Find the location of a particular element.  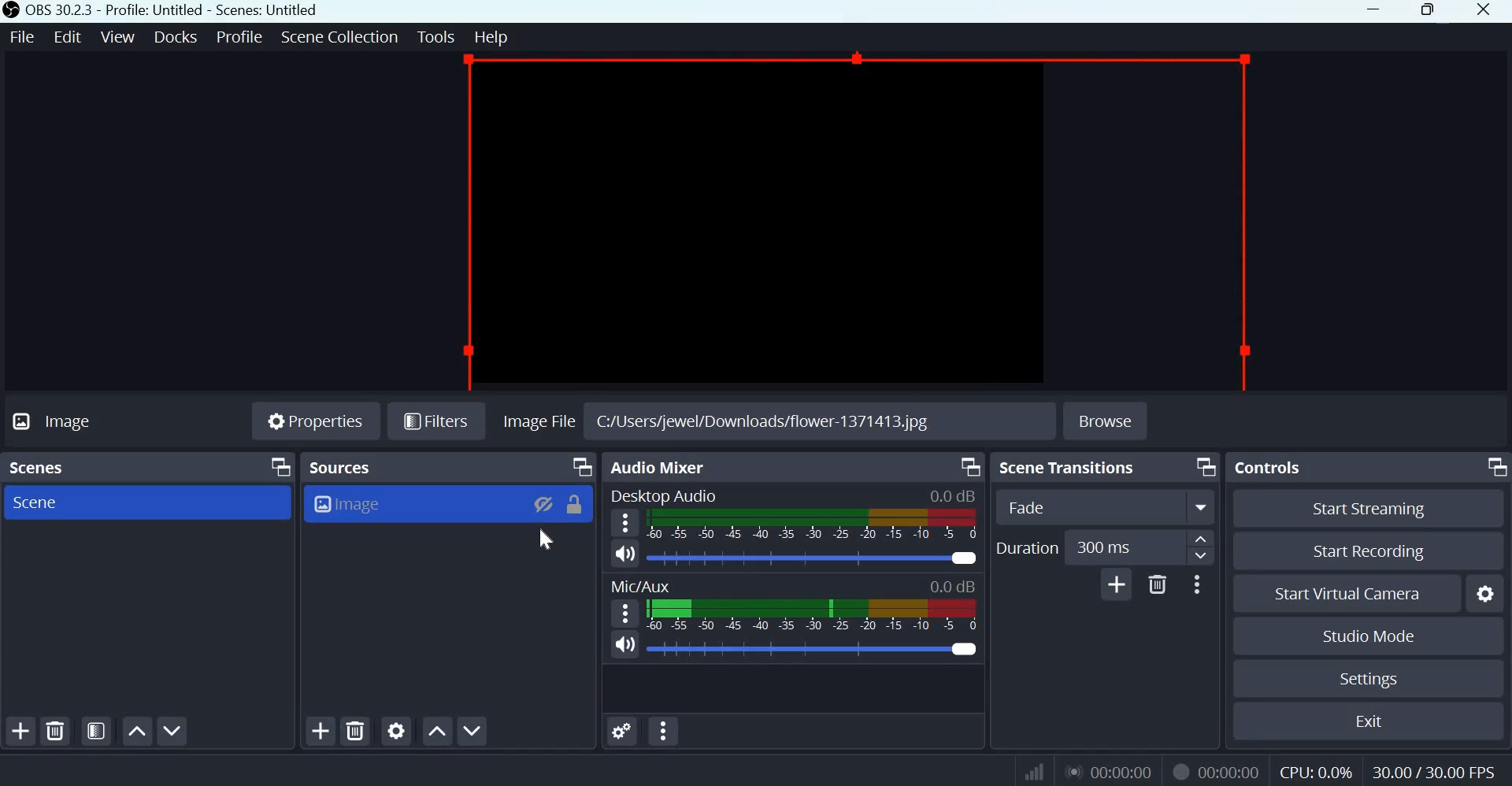

Edit is located at coordinates (68, 35).